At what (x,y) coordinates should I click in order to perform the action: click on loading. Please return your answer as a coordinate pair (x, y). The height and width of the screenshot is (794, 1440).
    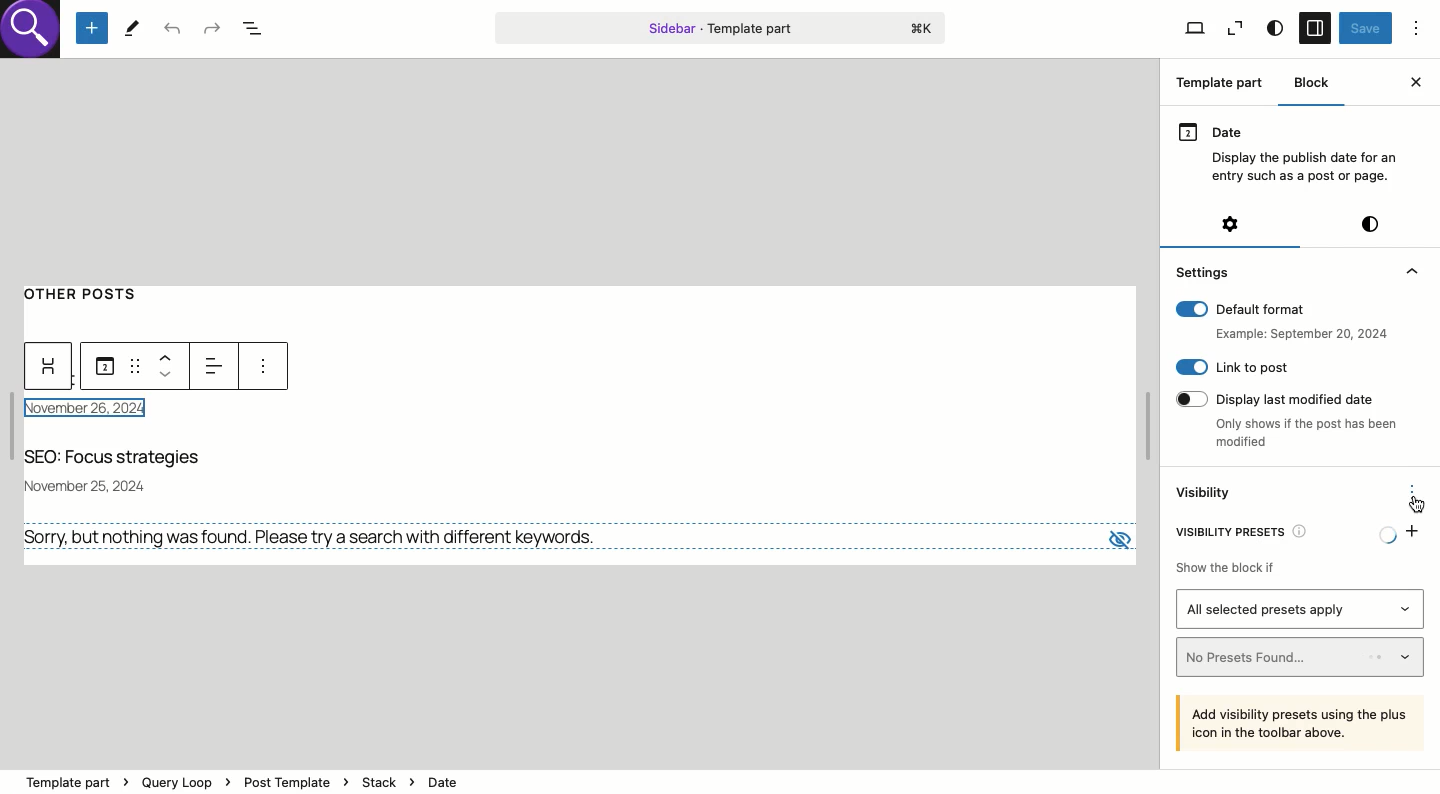
    Looking at the image, I should click on (1382, 530).